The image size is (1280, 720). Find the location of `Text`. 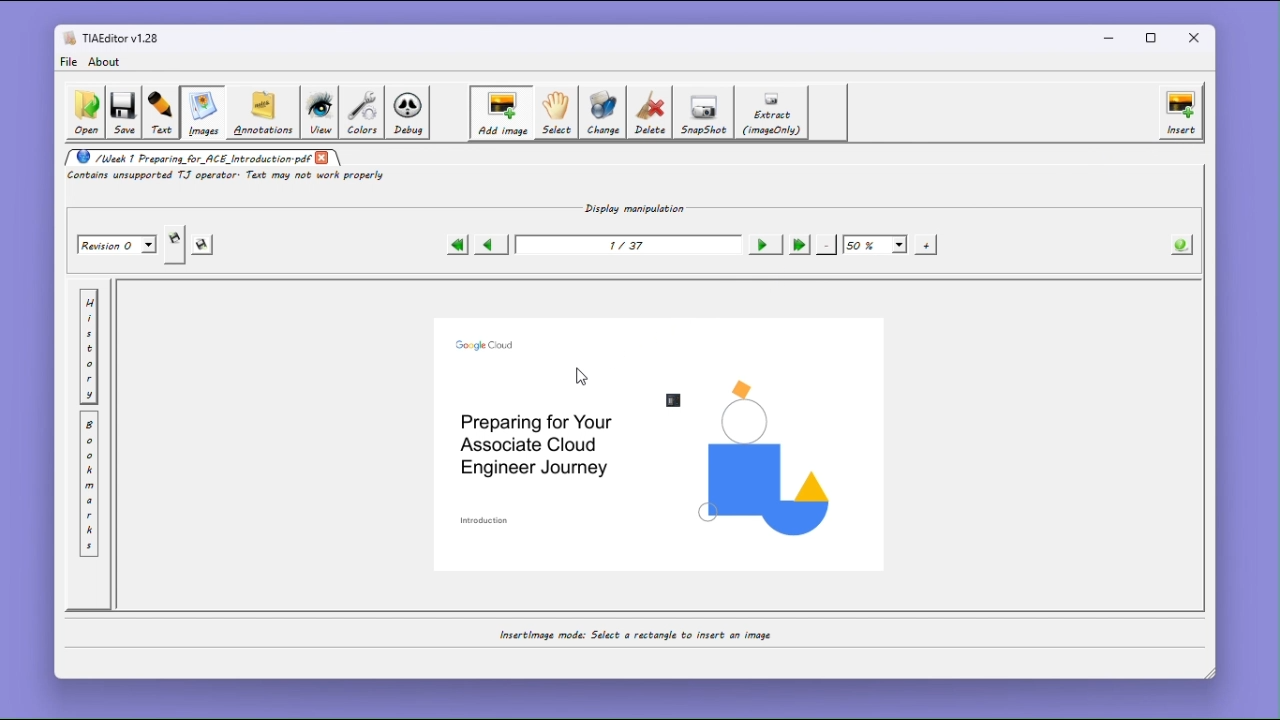

Text is located at coordinates (161, 113).